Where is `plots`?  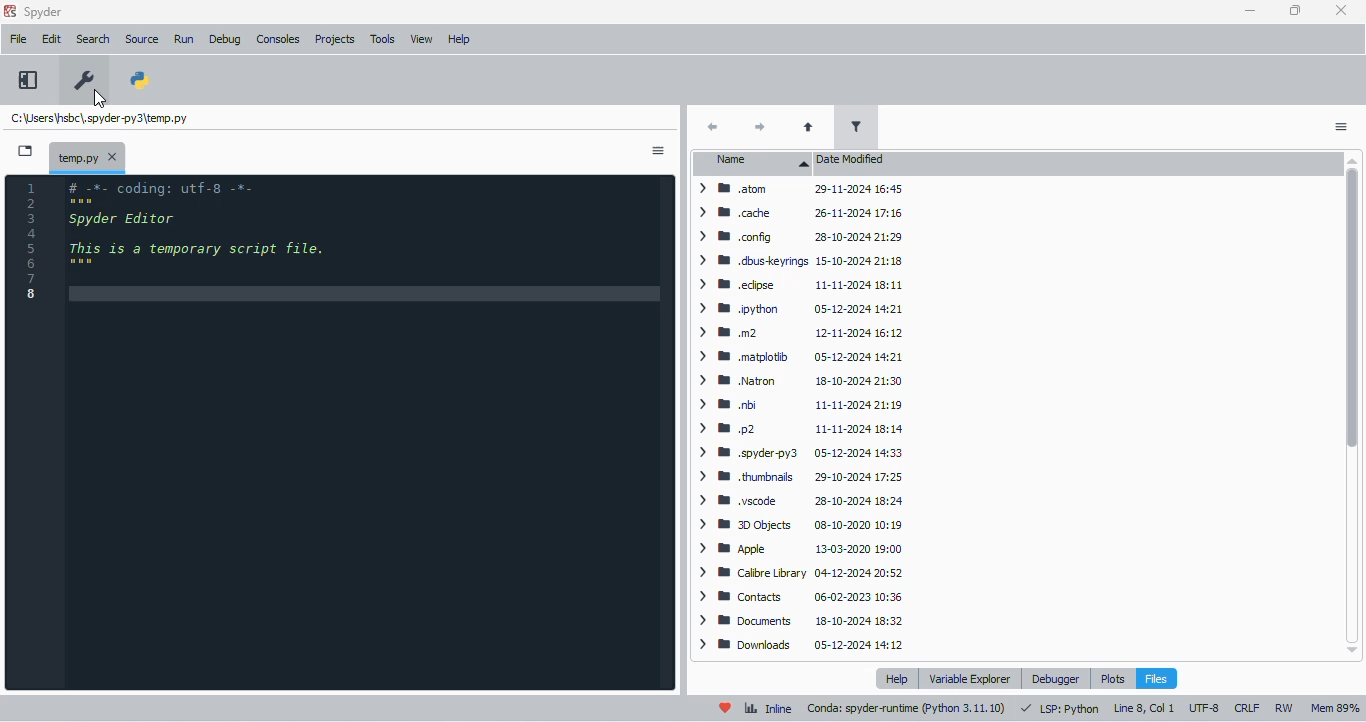 plots is located at coordinates (1112, 679).